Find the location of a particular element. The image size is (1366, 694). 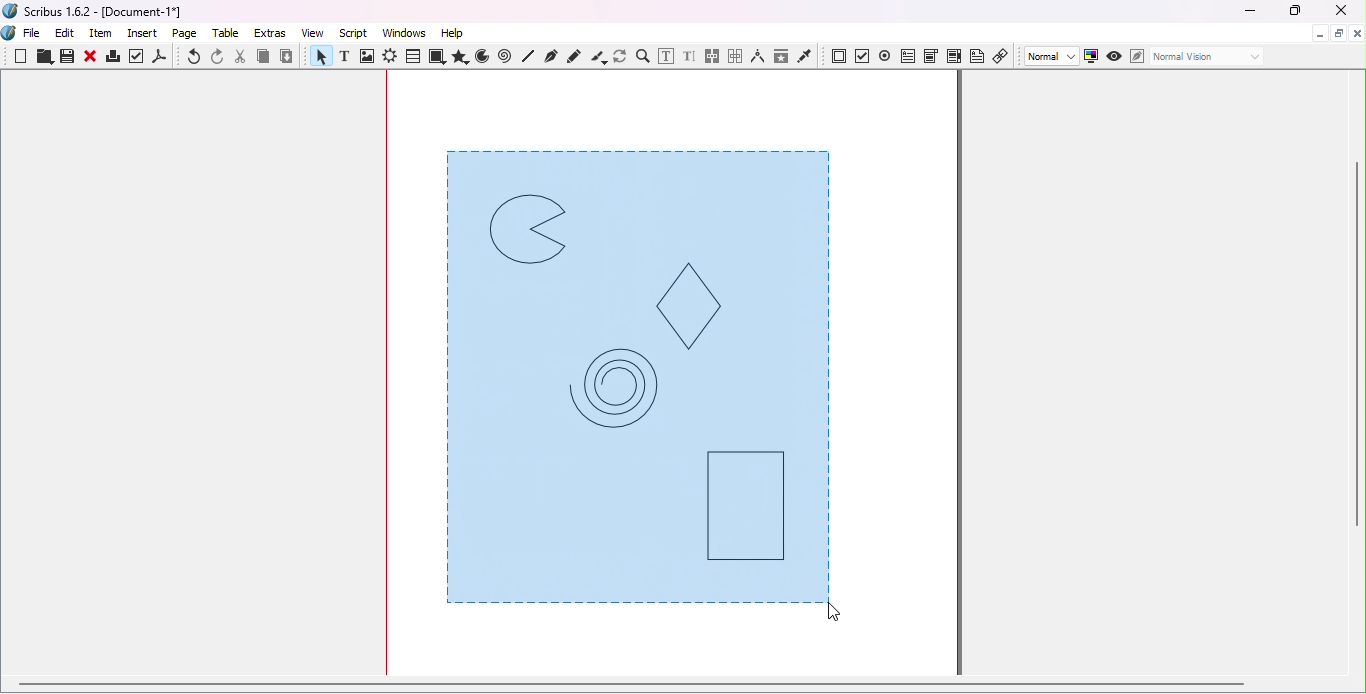

Calligraphic line is located at coordinates (598, 57).